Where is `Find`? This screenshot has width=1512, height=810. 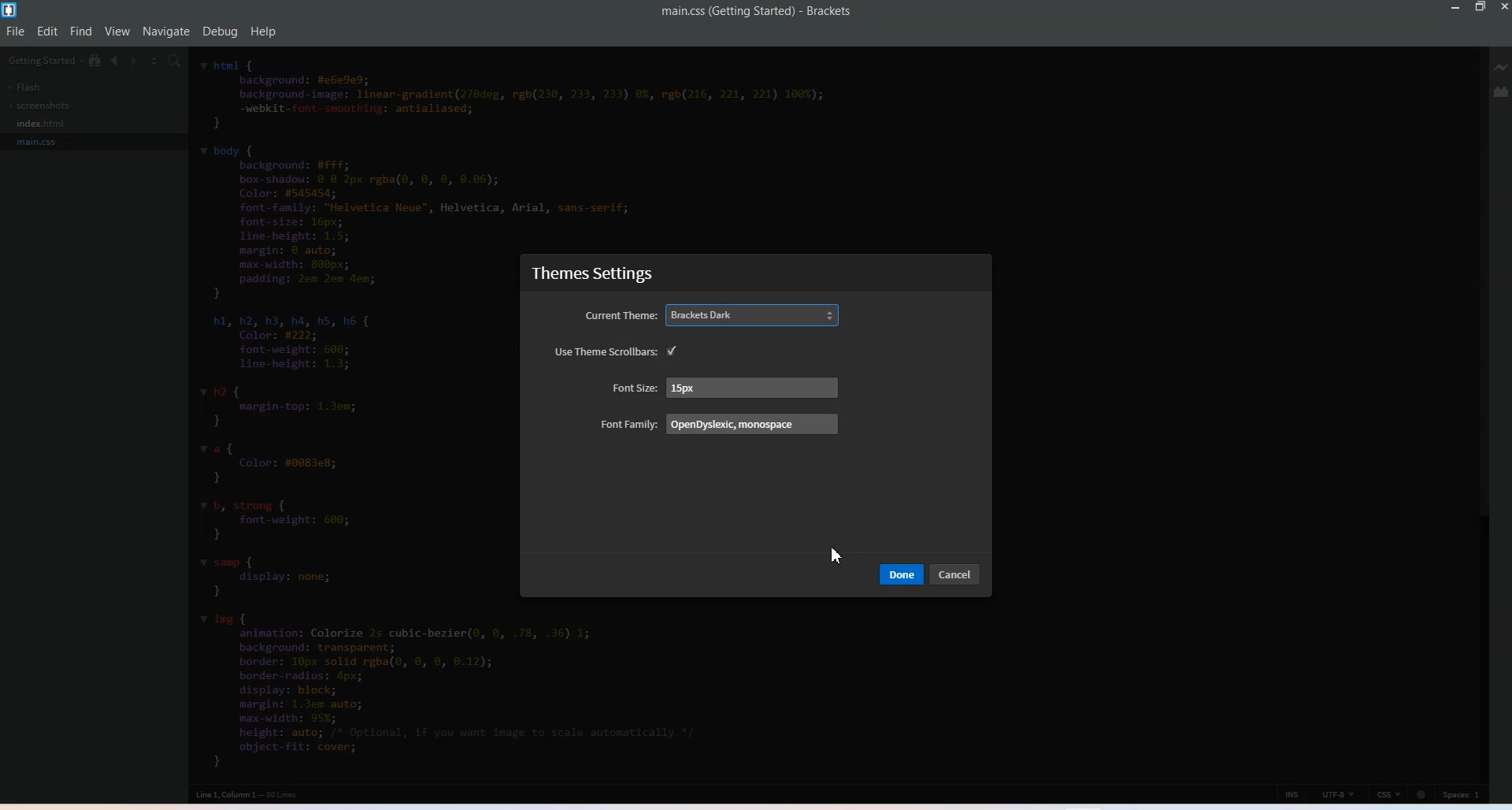
Find is located at coordinates (81, 31).